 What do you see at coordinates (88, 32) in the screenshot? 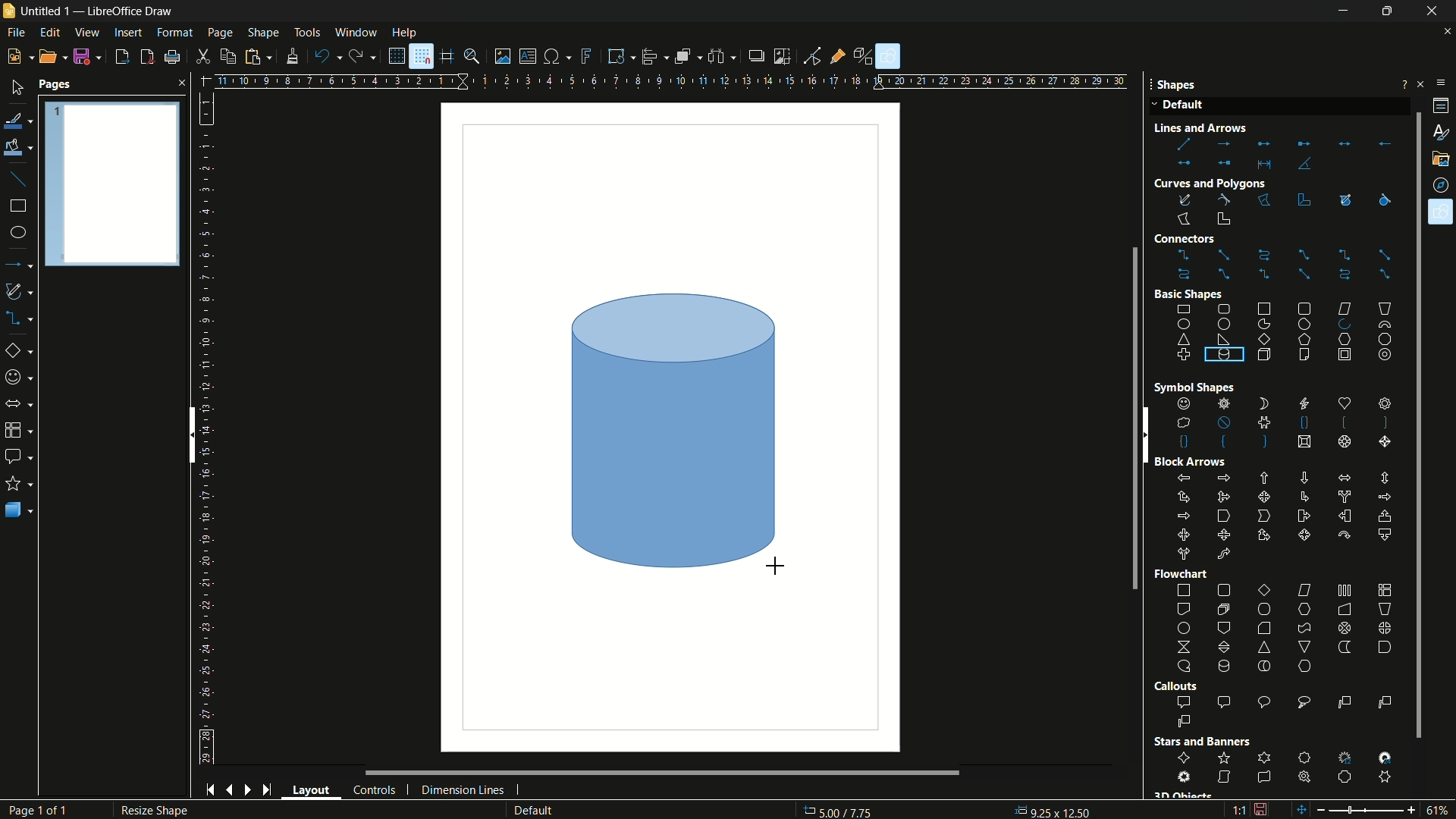
I see `view menu` at bounding box center [88, 32].